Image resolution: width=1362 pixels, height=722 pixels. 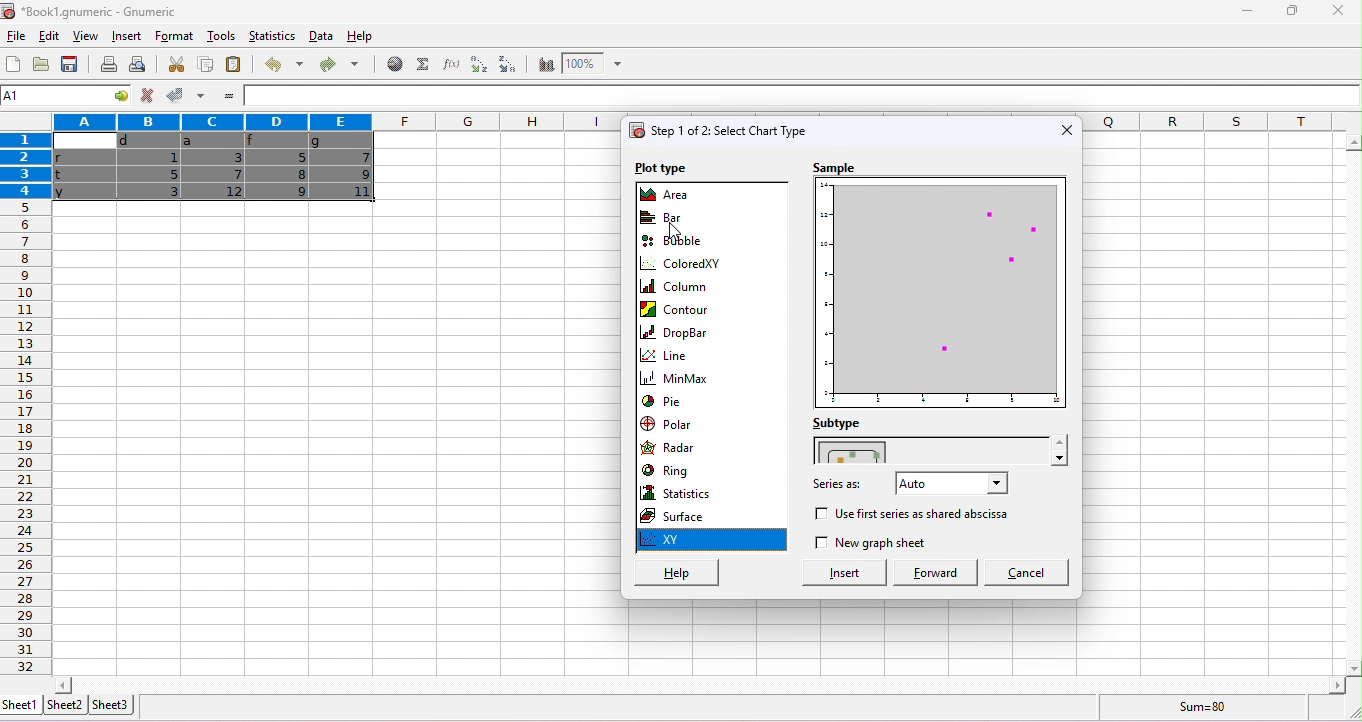 What do you see at coordinates (43, 65) in the screenshot?
I see `open` at bounding box center [43, 65].